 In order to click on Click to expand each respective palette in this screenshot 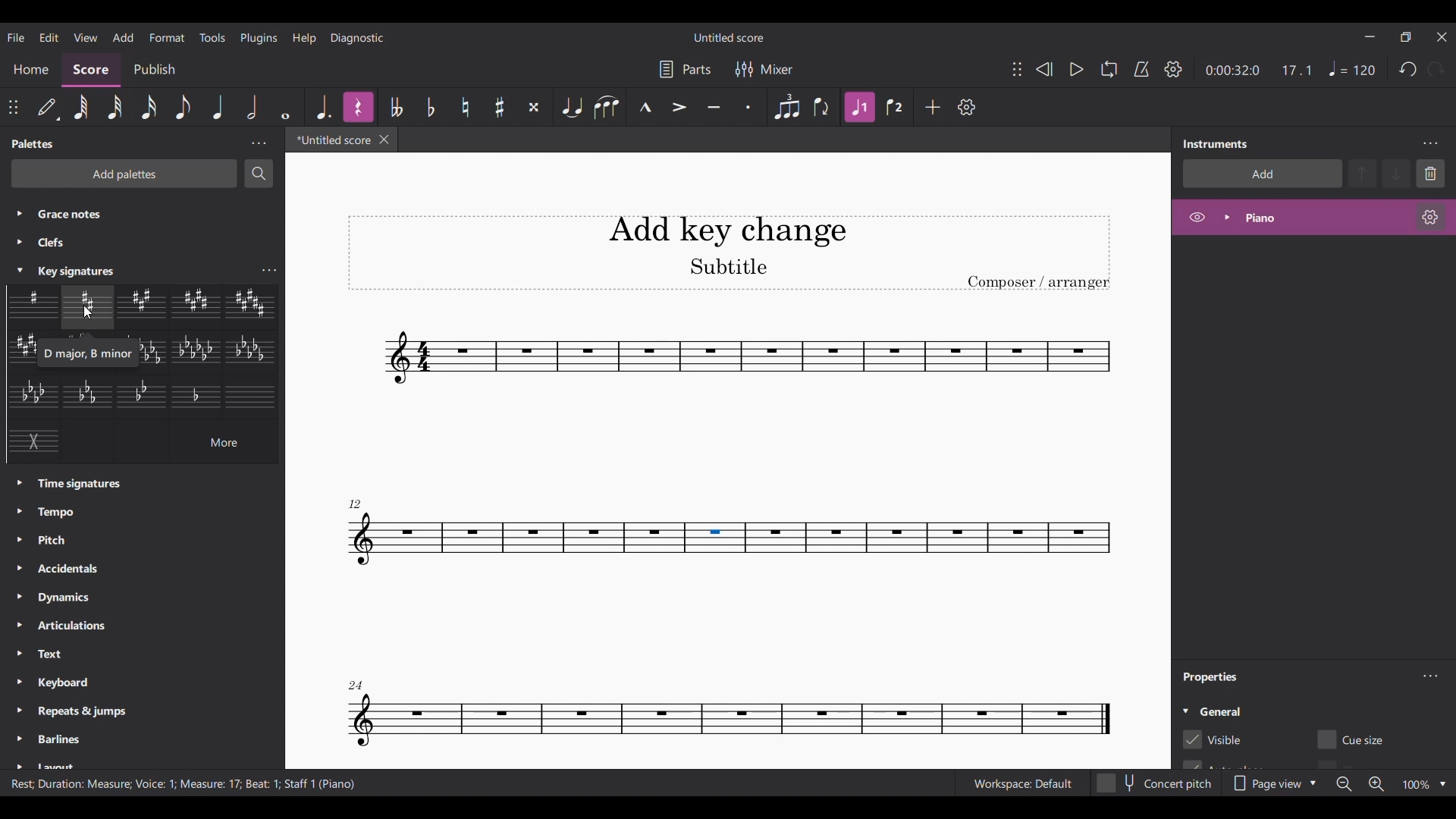, I will do `click(18, 397)`.